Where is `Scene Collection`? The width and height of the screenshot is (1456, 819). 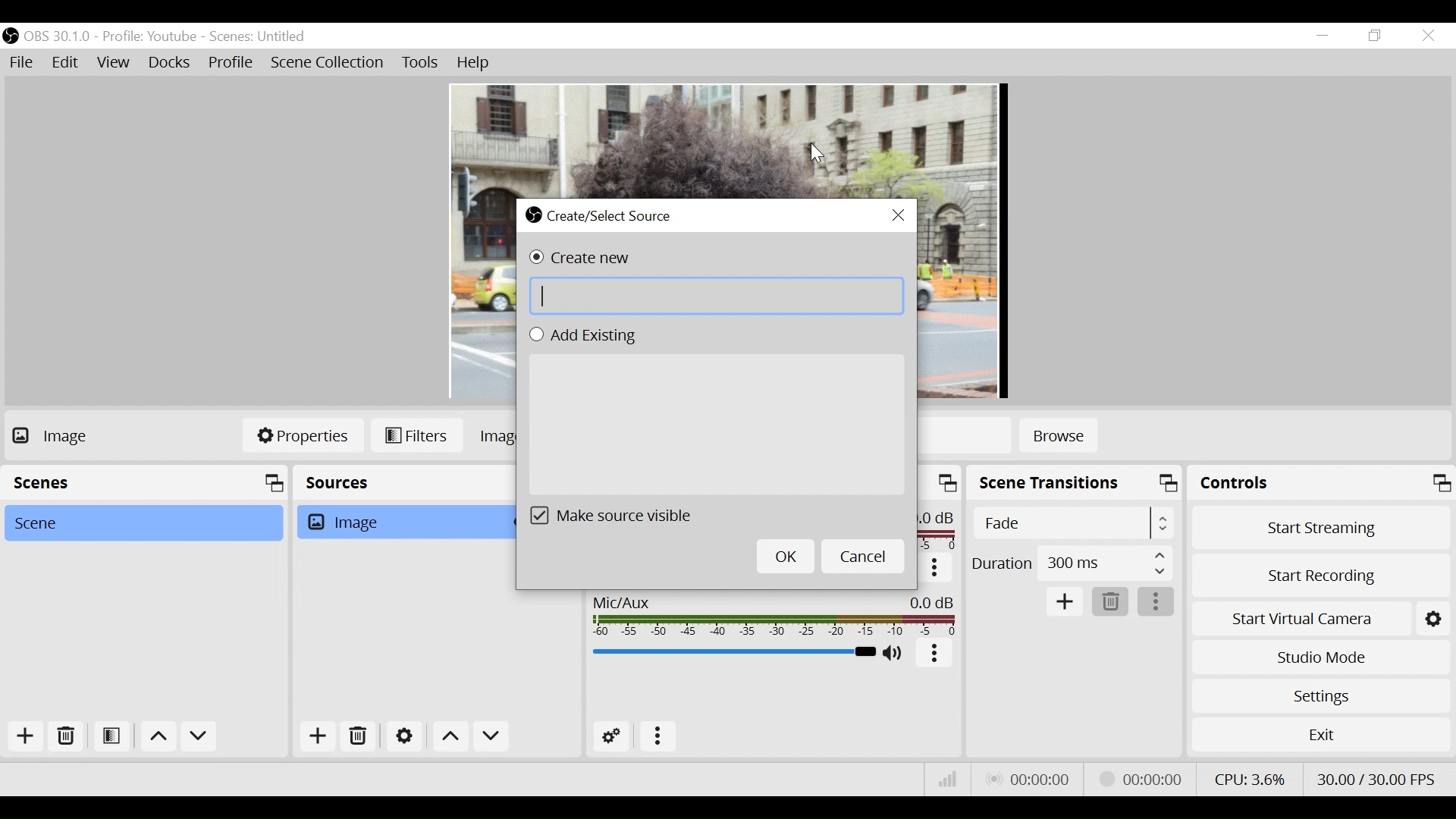 Scene Collection is located at coordinates (327, 65).